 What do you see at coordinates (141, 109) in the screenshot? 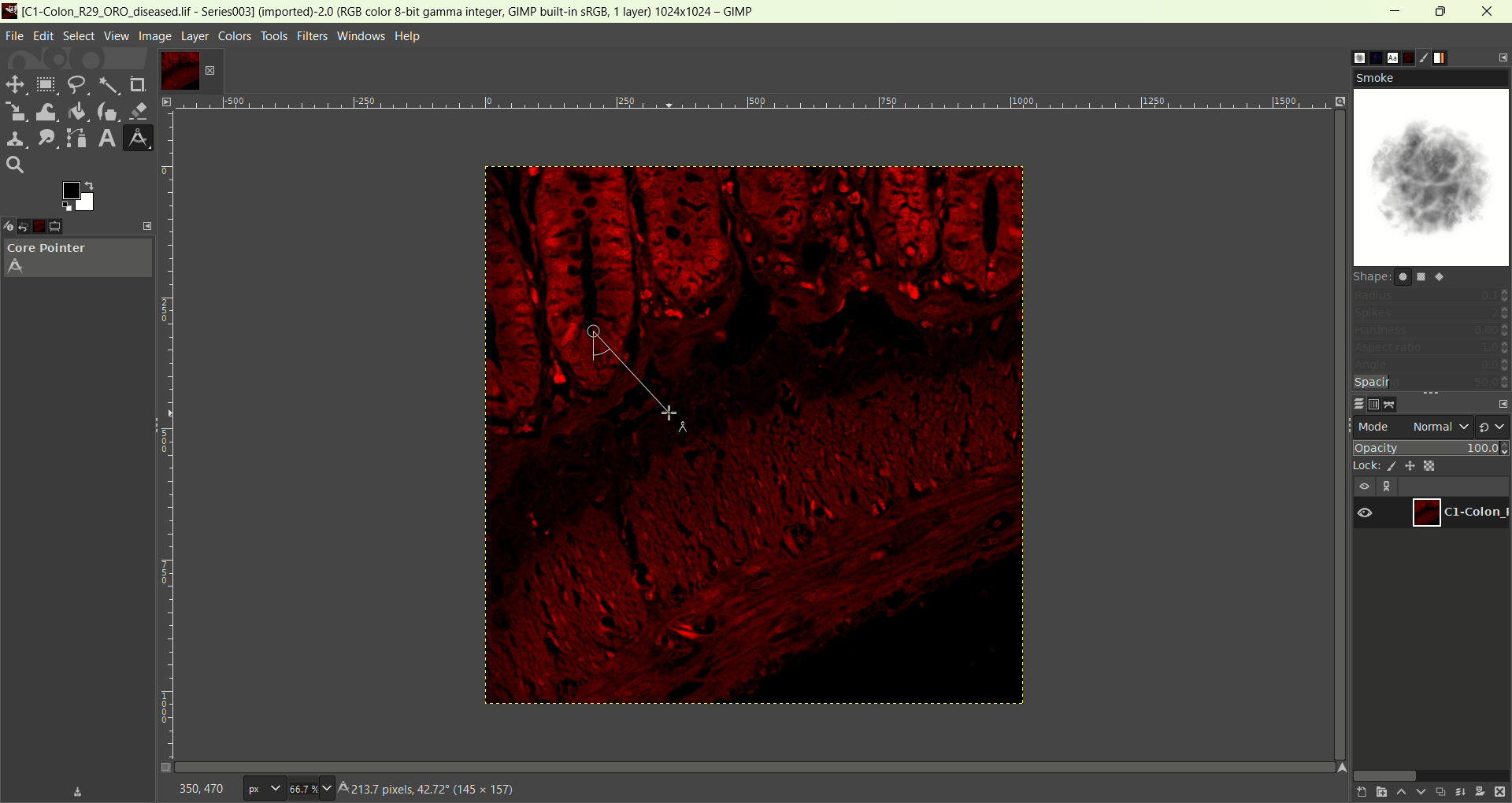
I see `eraser tool` at bounding box center [141, 109].